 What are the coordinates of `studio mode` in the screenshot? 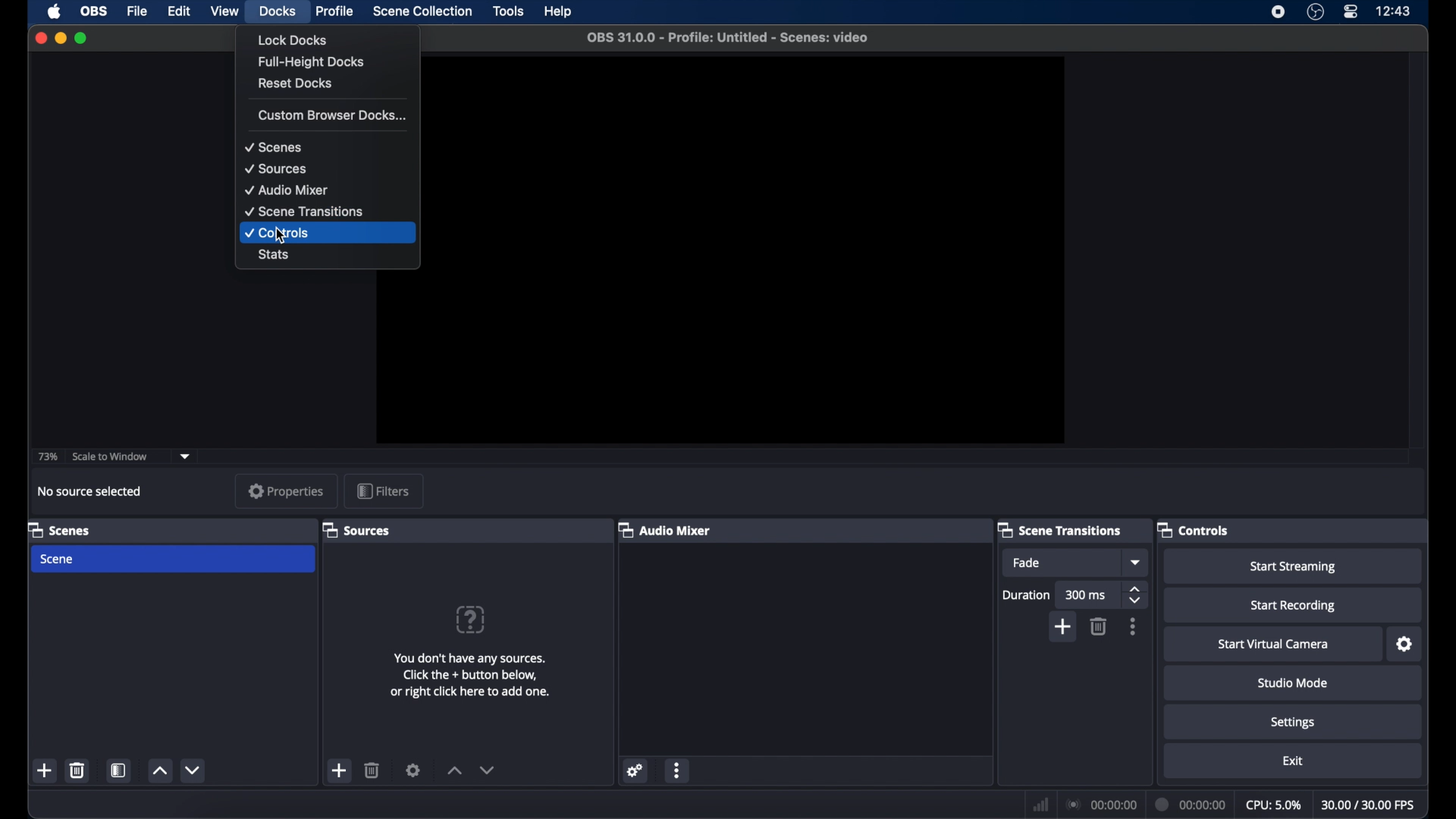 It's located at (1292, 683).